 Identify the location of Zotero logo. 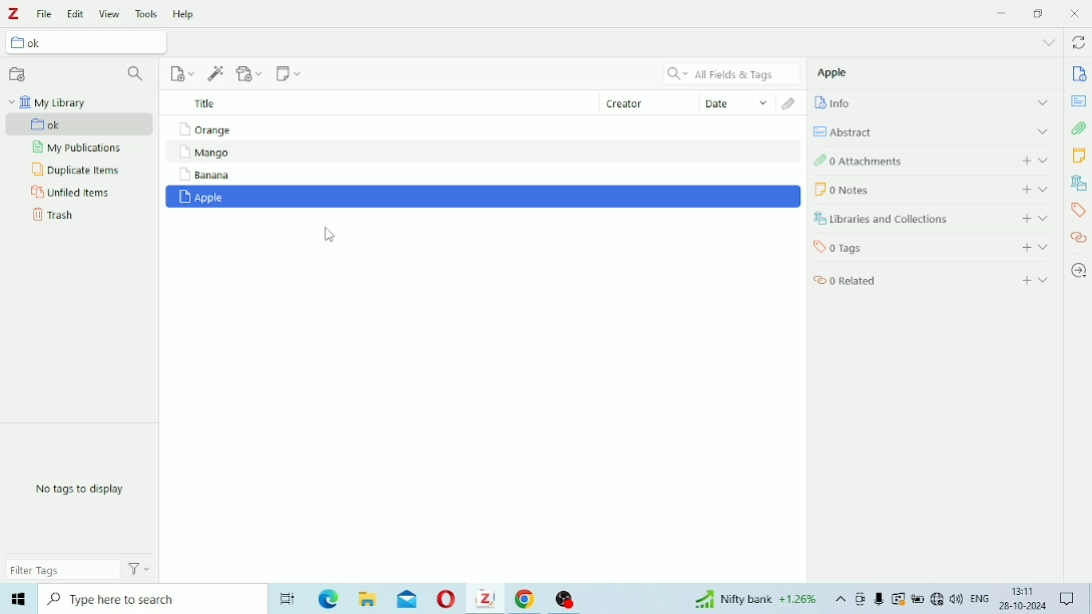
(17, 13).